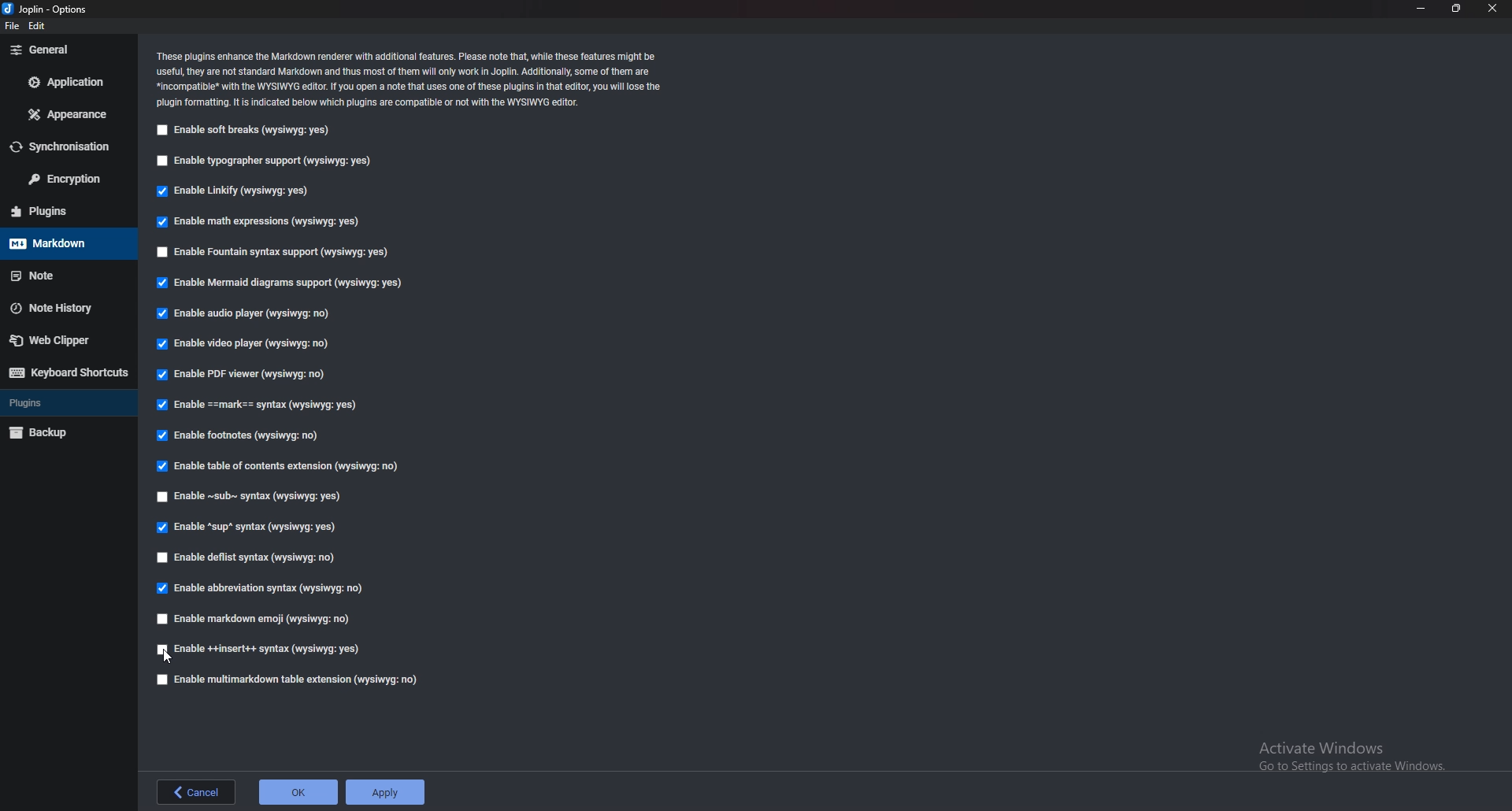  I want to click on appearance, so click(64, 114).